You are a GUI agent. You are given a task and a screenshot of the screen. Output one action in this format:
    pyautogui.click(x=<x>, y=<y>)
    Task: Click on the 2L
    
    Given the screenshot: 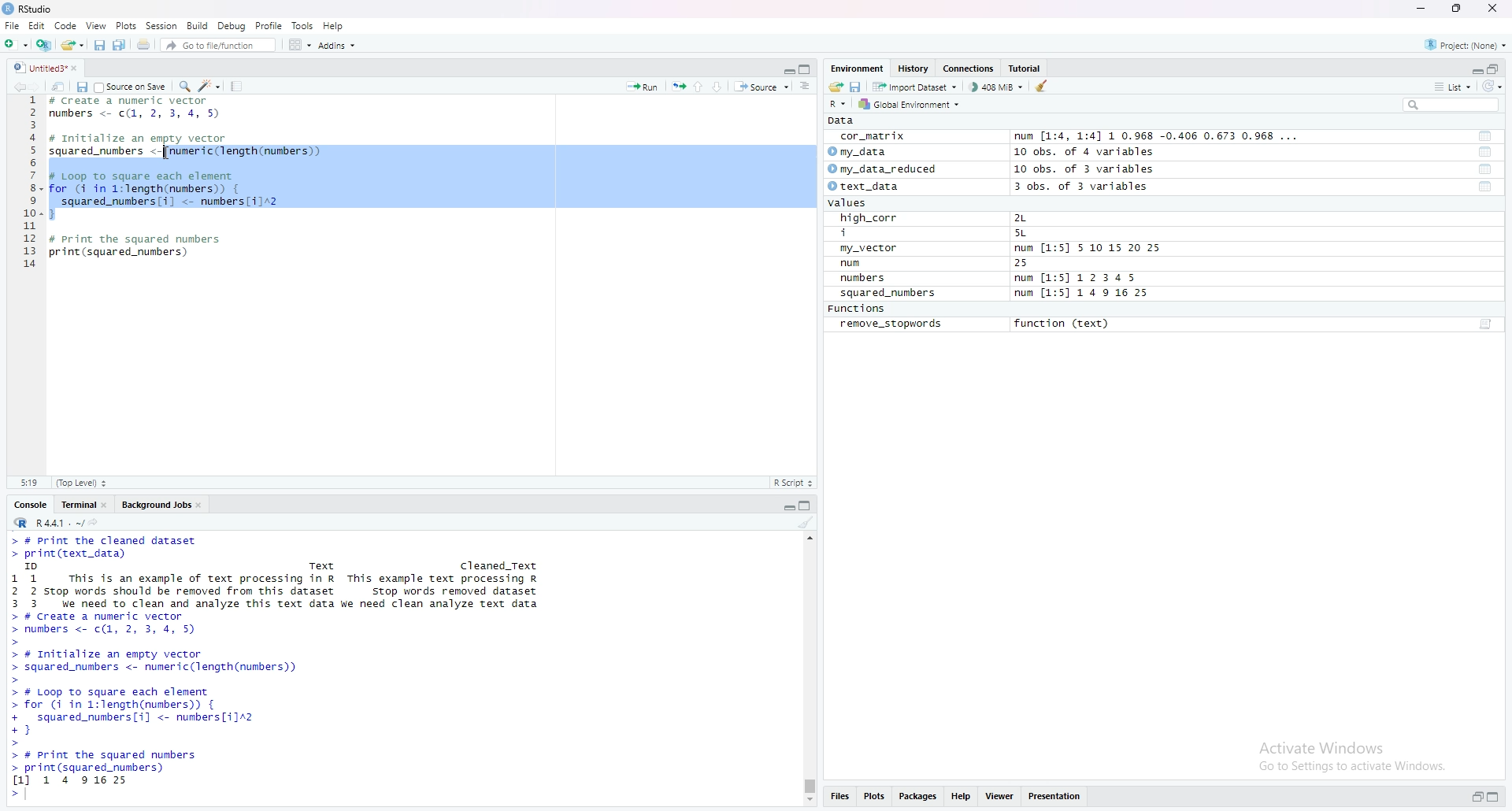 What is the action you would take?
    pyautogui.click(x=1029, y=218)
    